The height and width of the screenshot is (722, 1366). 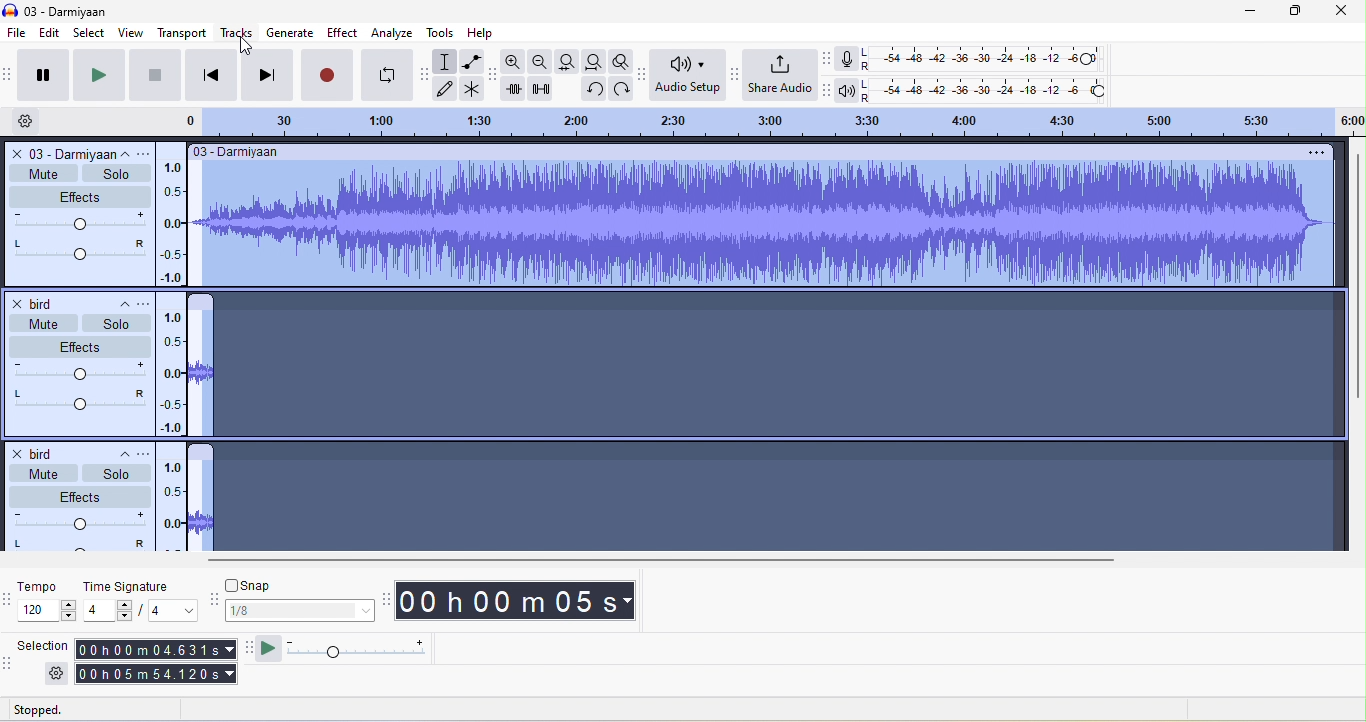 What do you see at coordinates (316, 710) in the screenshot?
I see `click and drag to move left selection boundary` at bounding box center [316, 710].